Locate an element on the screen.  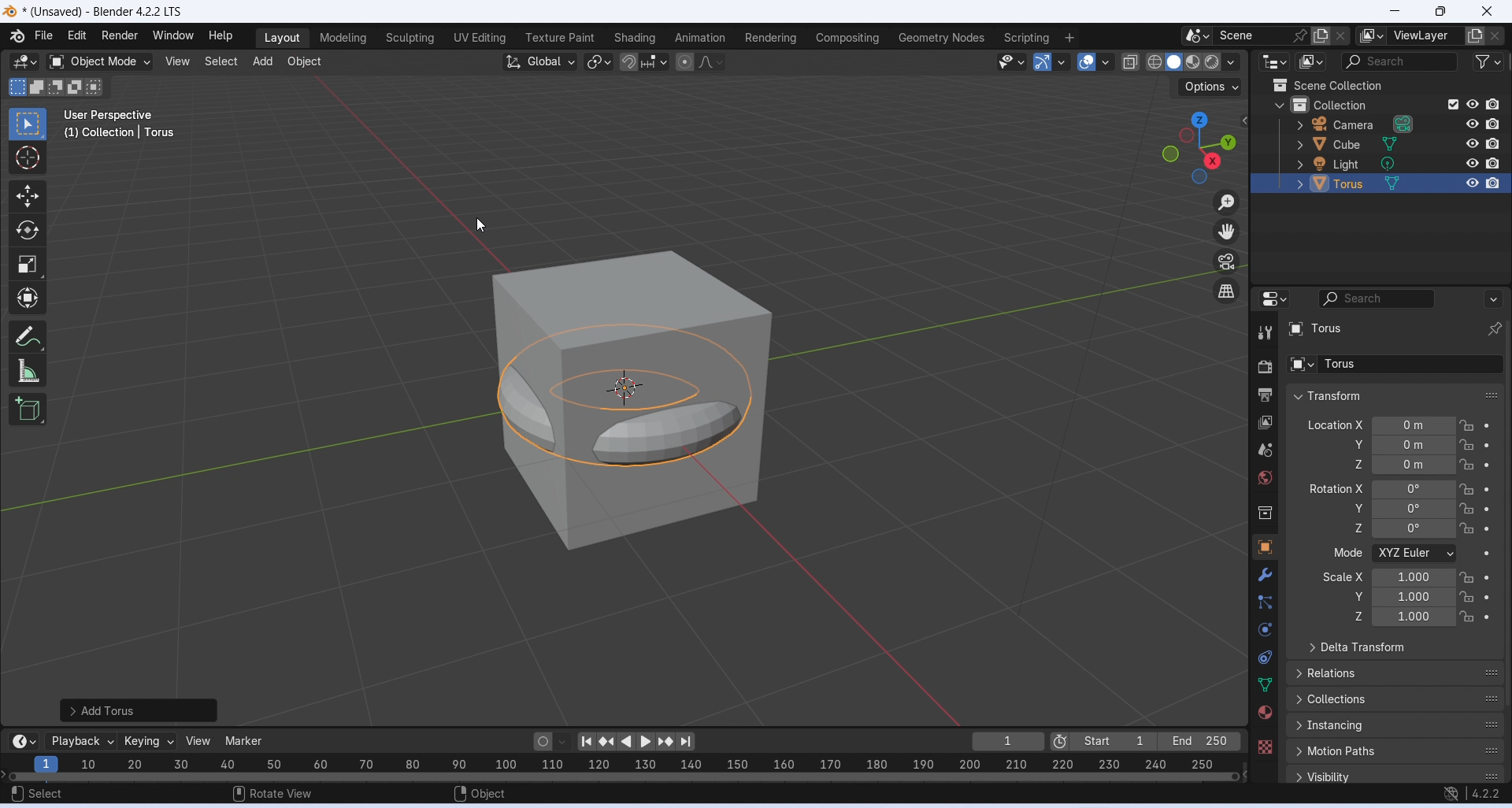
Scale  X is located at coordinates (1343, 576).